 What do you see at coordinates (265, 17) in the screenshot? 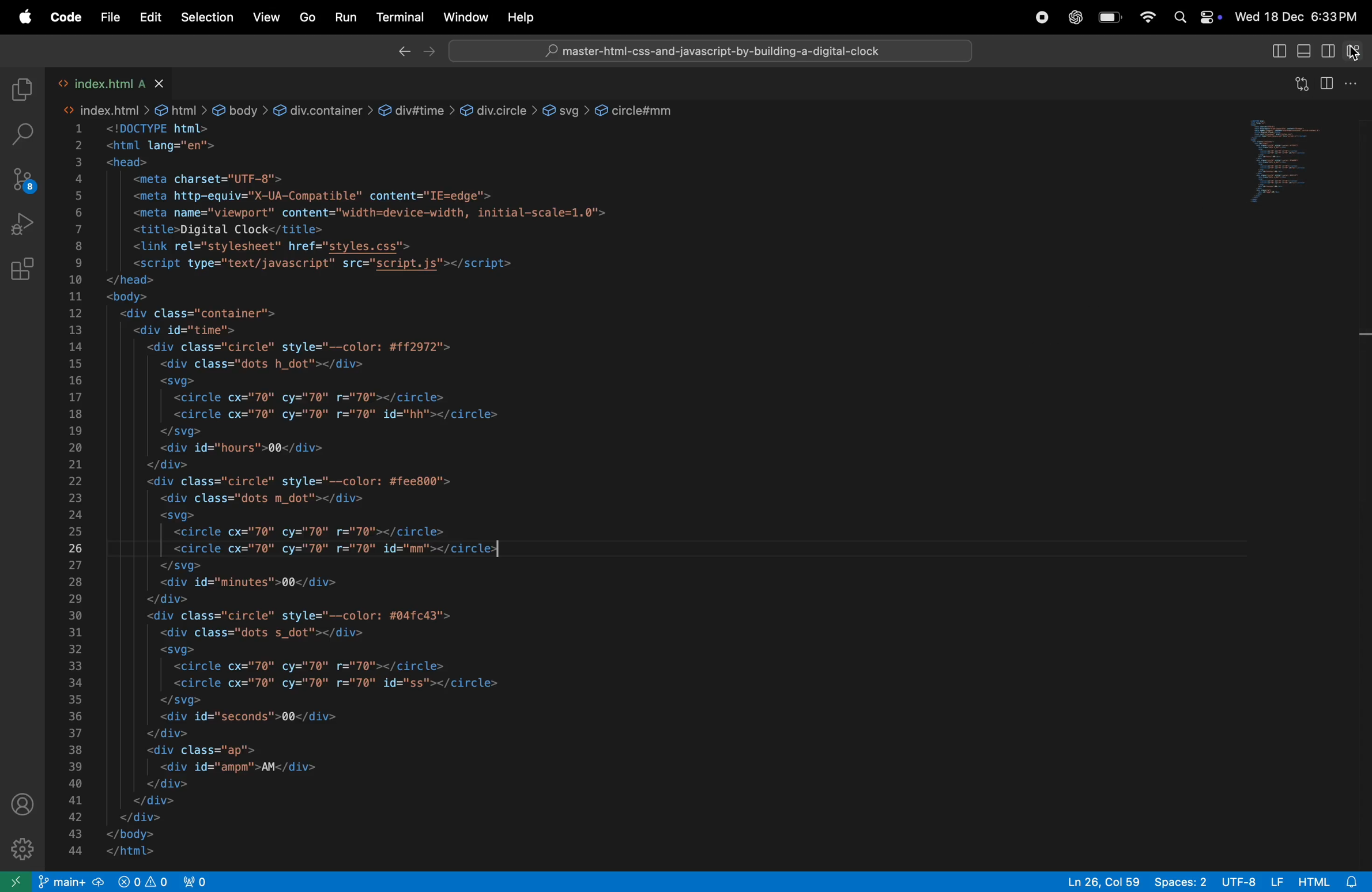
I see `view` at bounding box center [265, 17].